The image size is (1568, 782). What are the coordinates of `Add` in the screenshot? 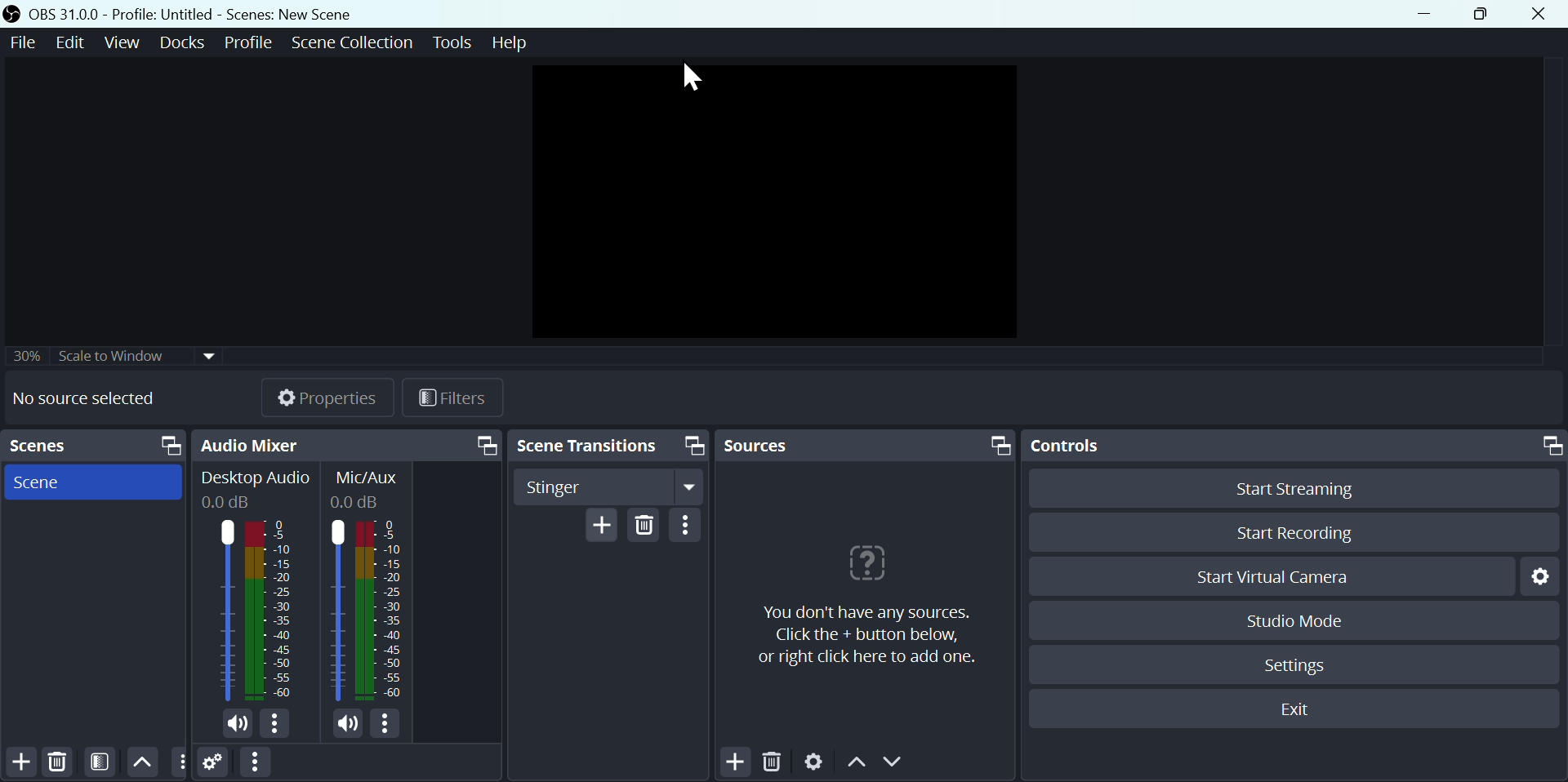 It's located at (21, 762).